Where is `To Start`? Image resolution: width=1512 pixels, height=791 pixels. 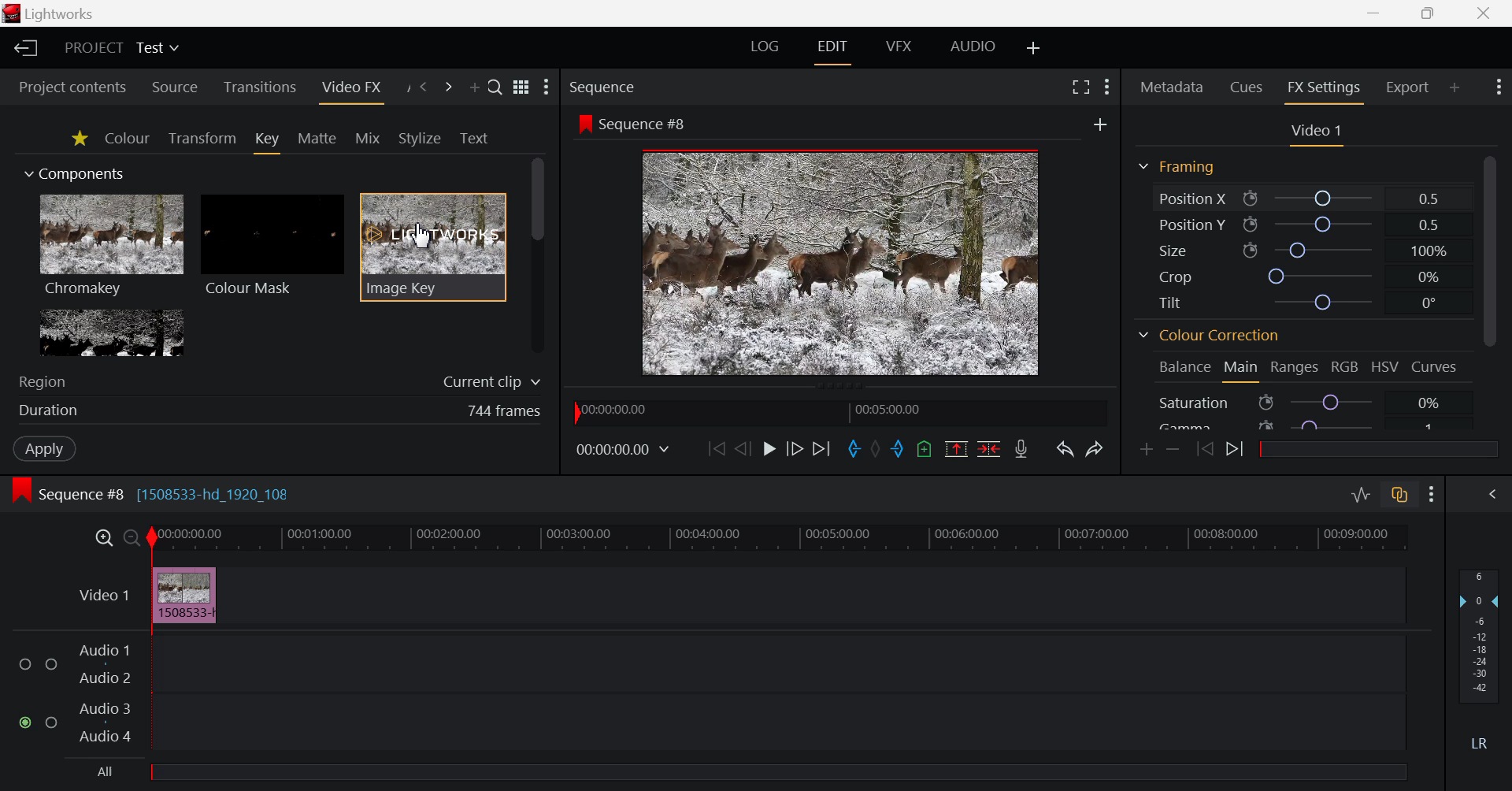
To Start is located at coordinates (714, 445).